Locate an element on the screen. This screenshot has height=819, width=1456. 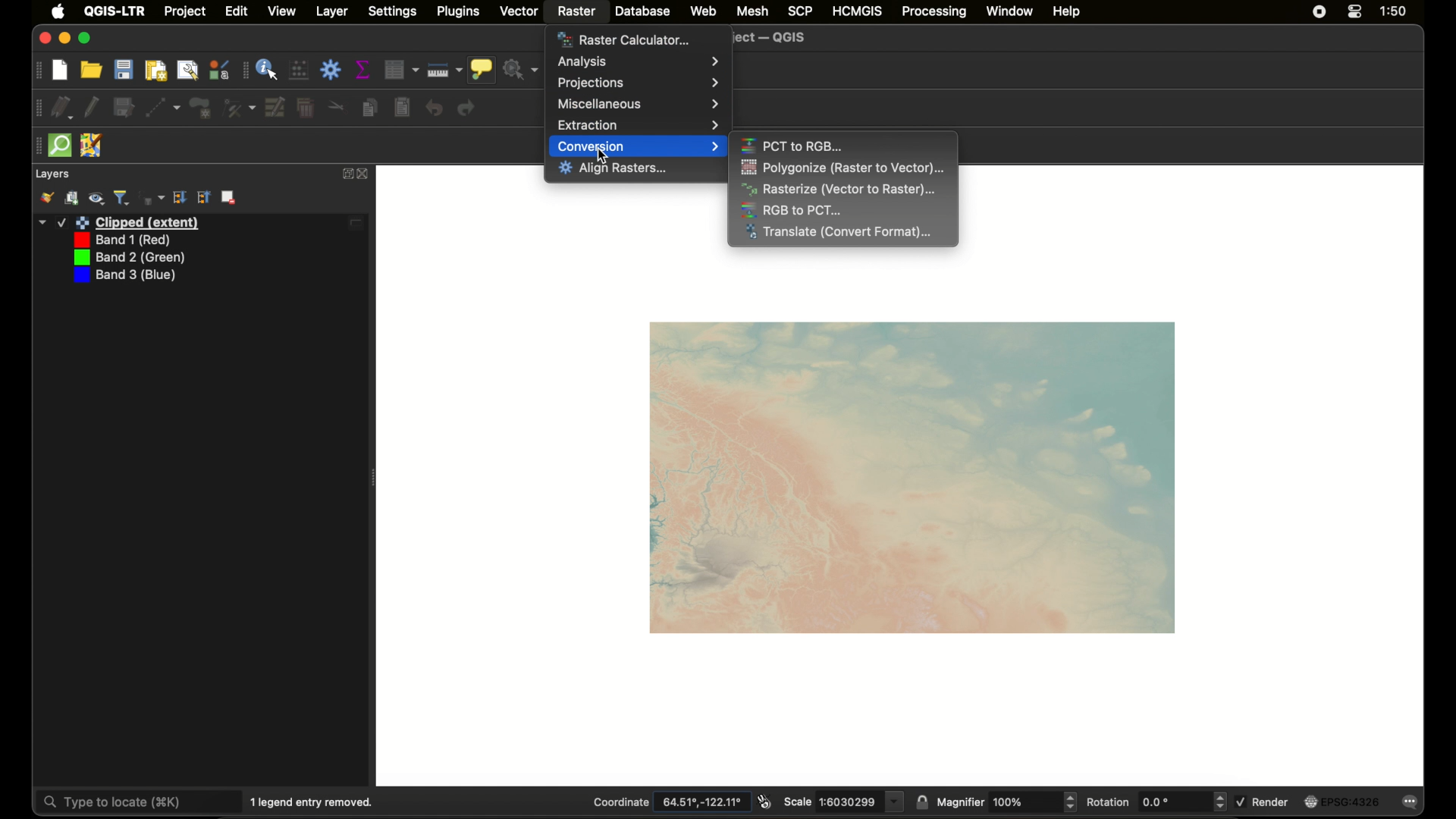
show map tips is located at coordinates (482, 70).